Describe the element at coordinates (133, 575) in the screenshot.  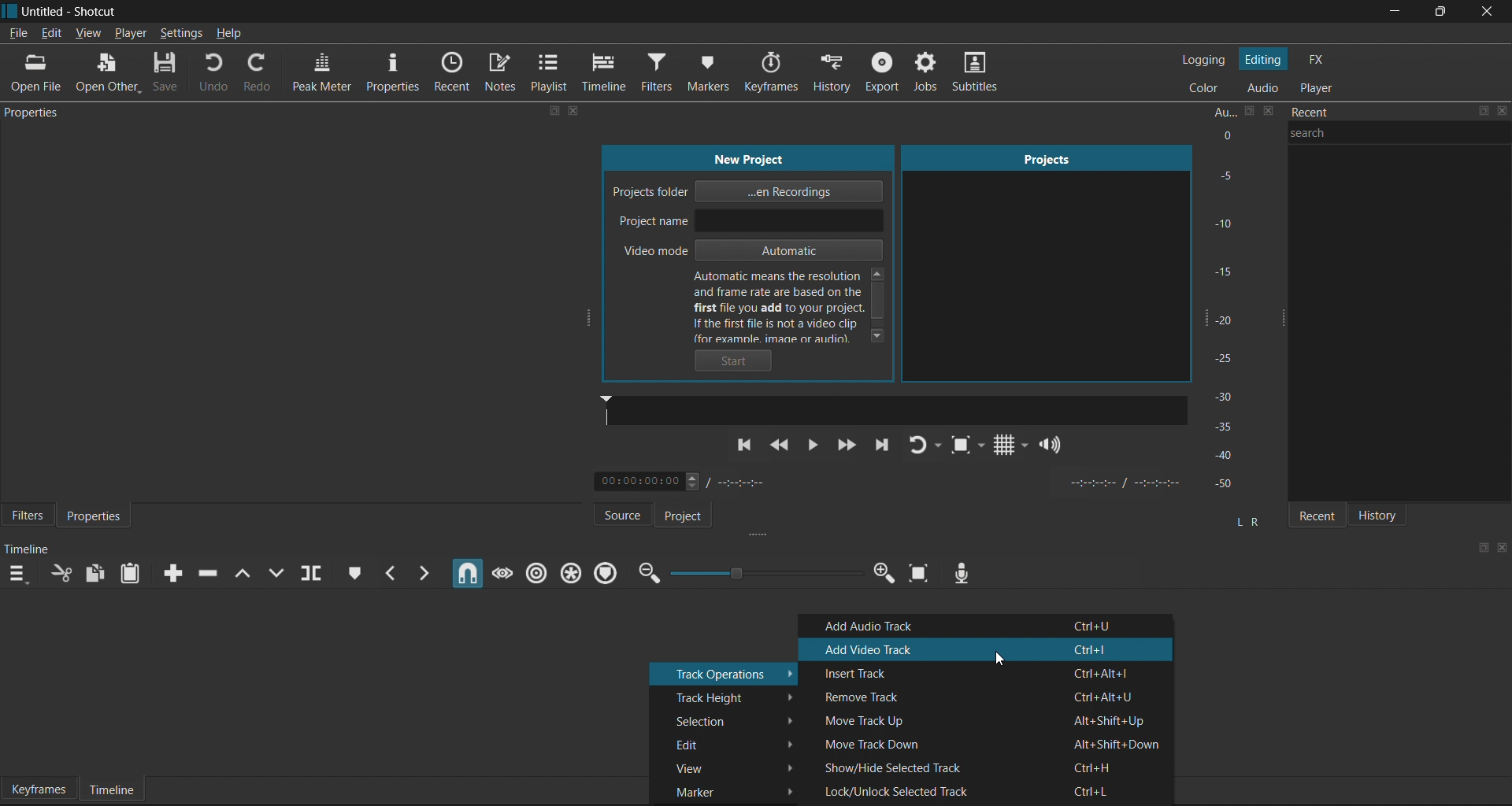
I see `Paste` at that location.